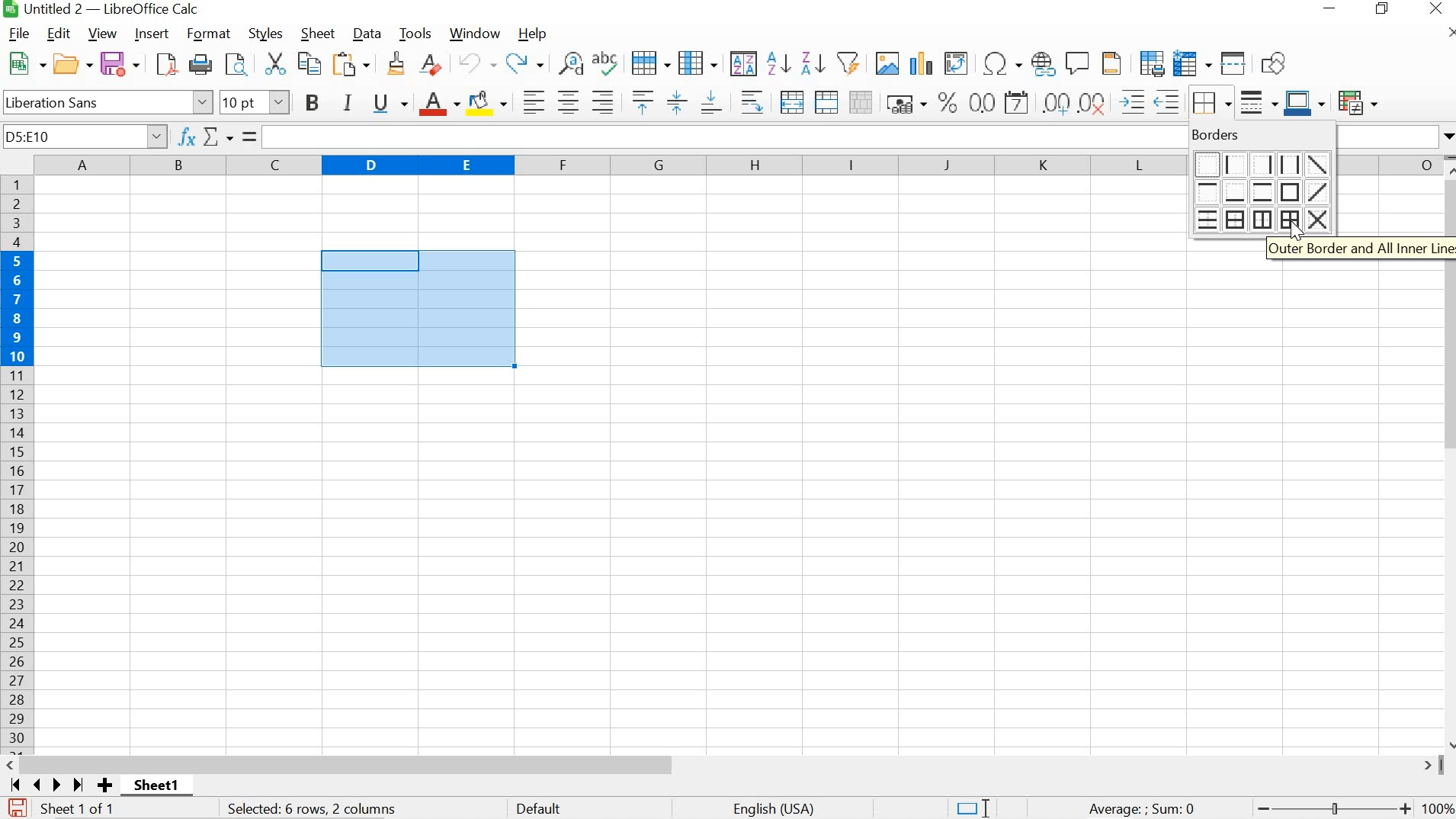 This screenshot has height=819, width=1456. I want to click on VIEW, so click(101, 34).